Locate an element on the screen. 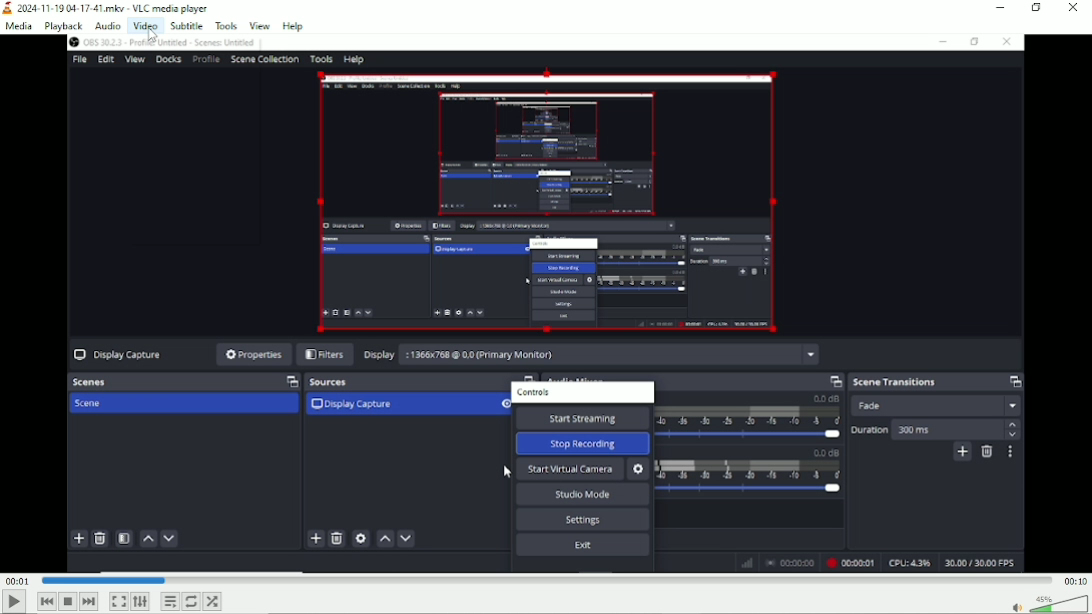 The height and width of the screenshot is (614, 1092). Play duration is located at coordinates (545, 580).